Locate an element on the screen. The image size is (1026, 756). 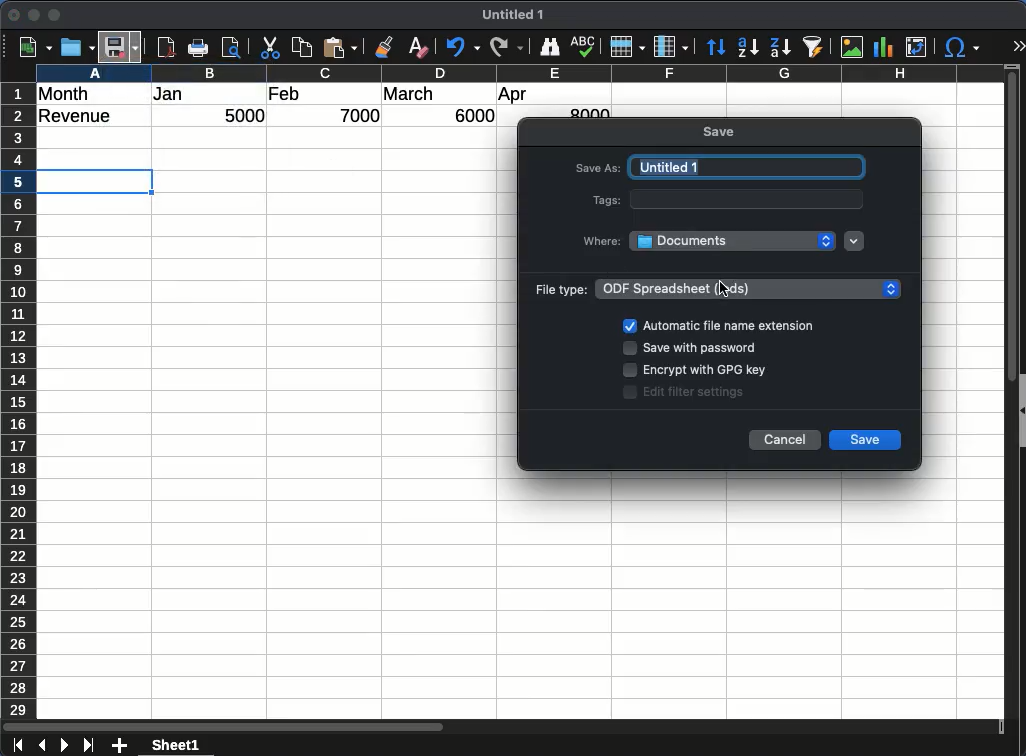
save as is located at coordinates (598, 170).